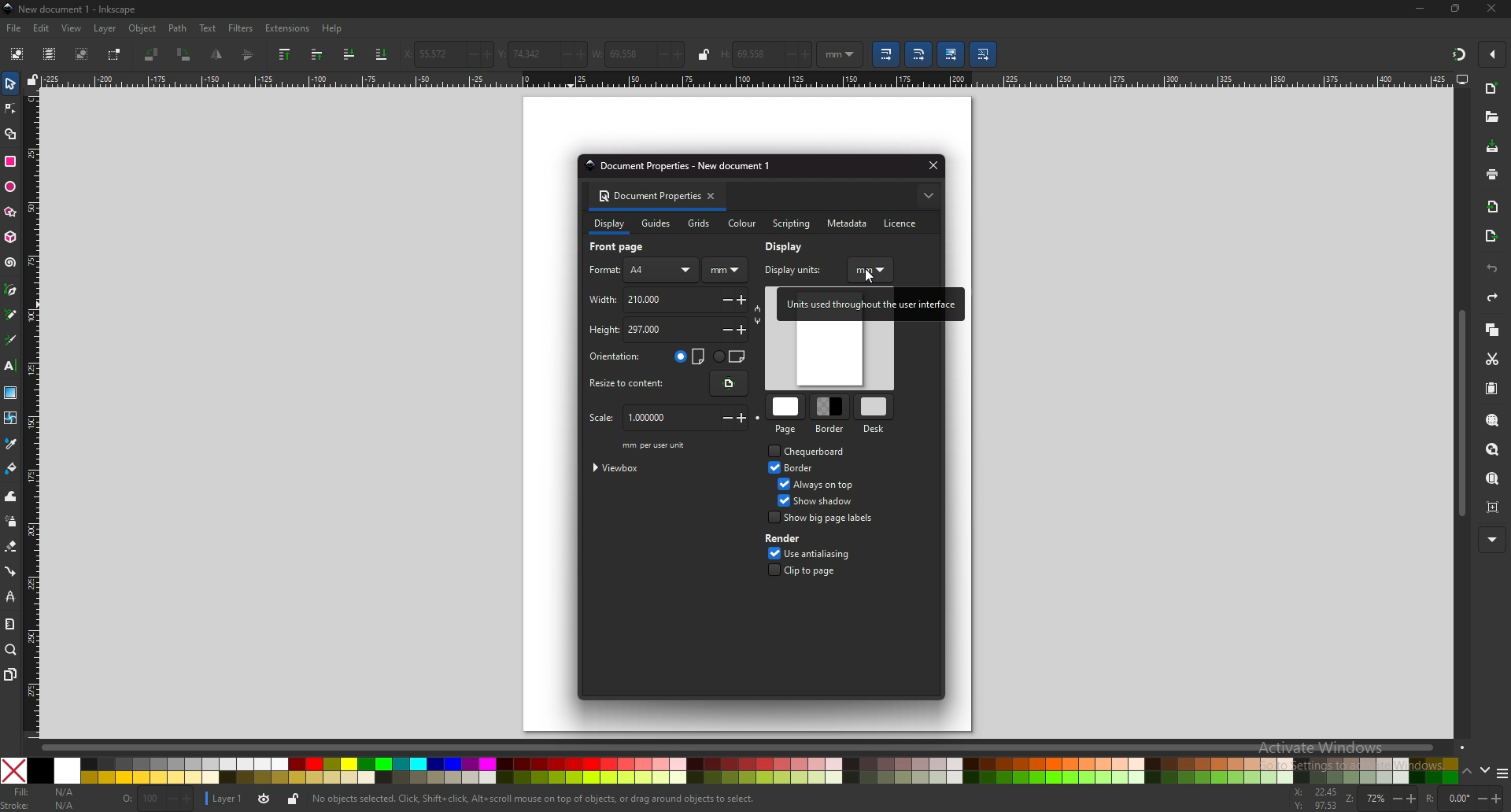  What do you see at coordinates (745, 301) in the screenshot?
I see `+` at bounding box center [745, 301].